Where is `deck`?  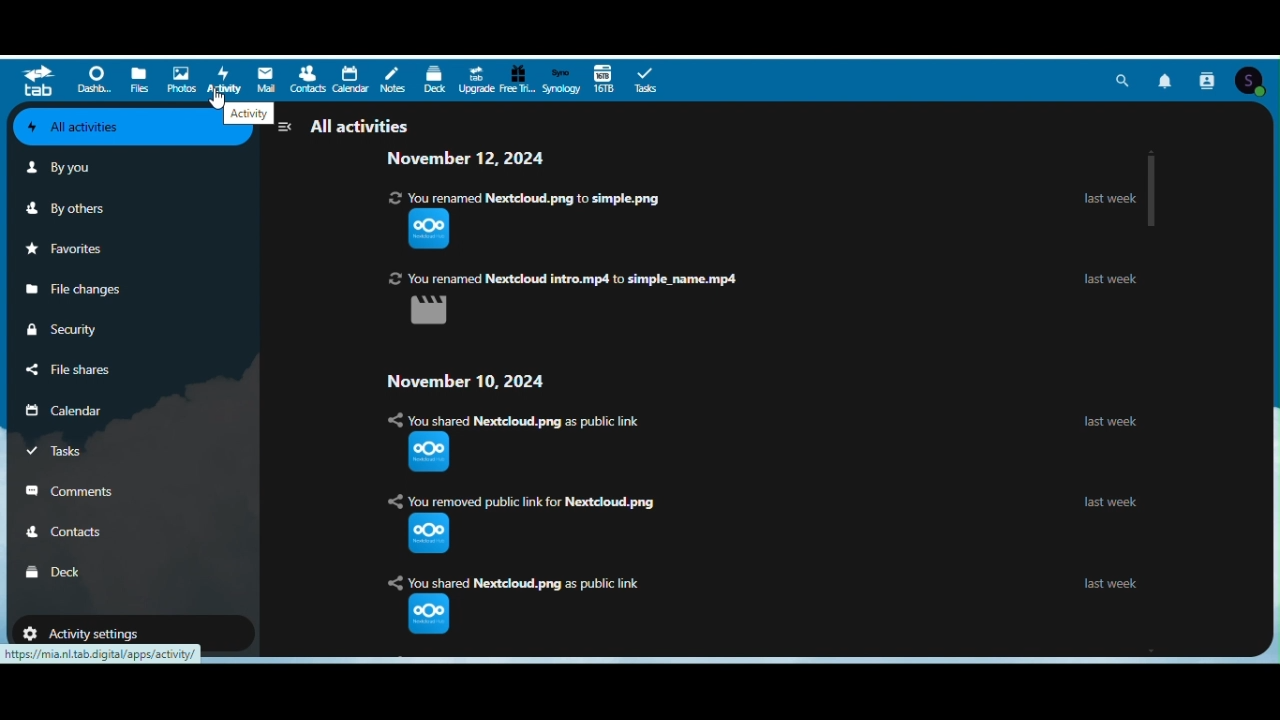
deck is located at coordinates (57, 570).